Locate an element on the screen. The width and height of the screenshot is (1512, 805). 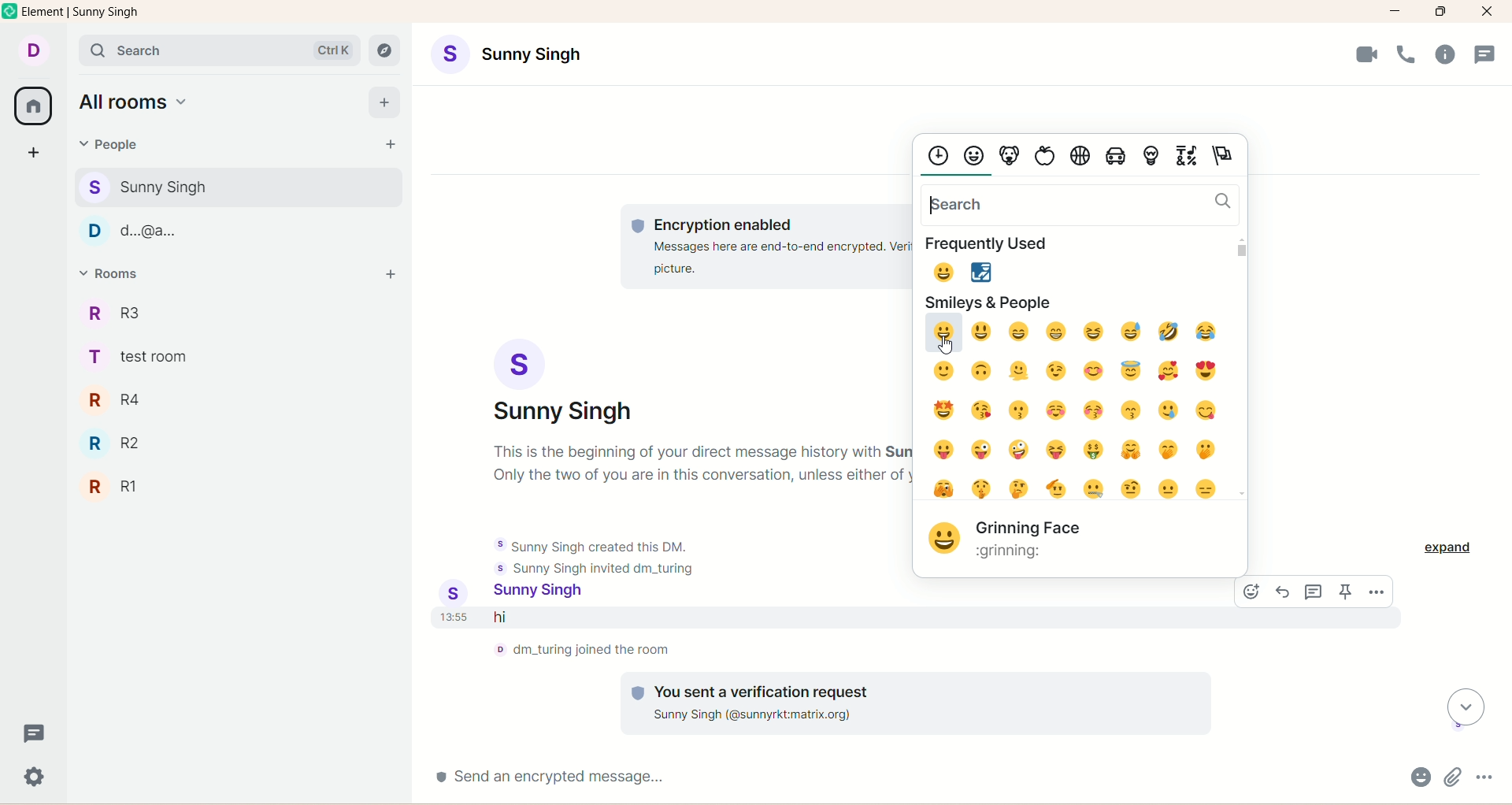
Grinning face with sweat is located at coordinates (1131, 332).